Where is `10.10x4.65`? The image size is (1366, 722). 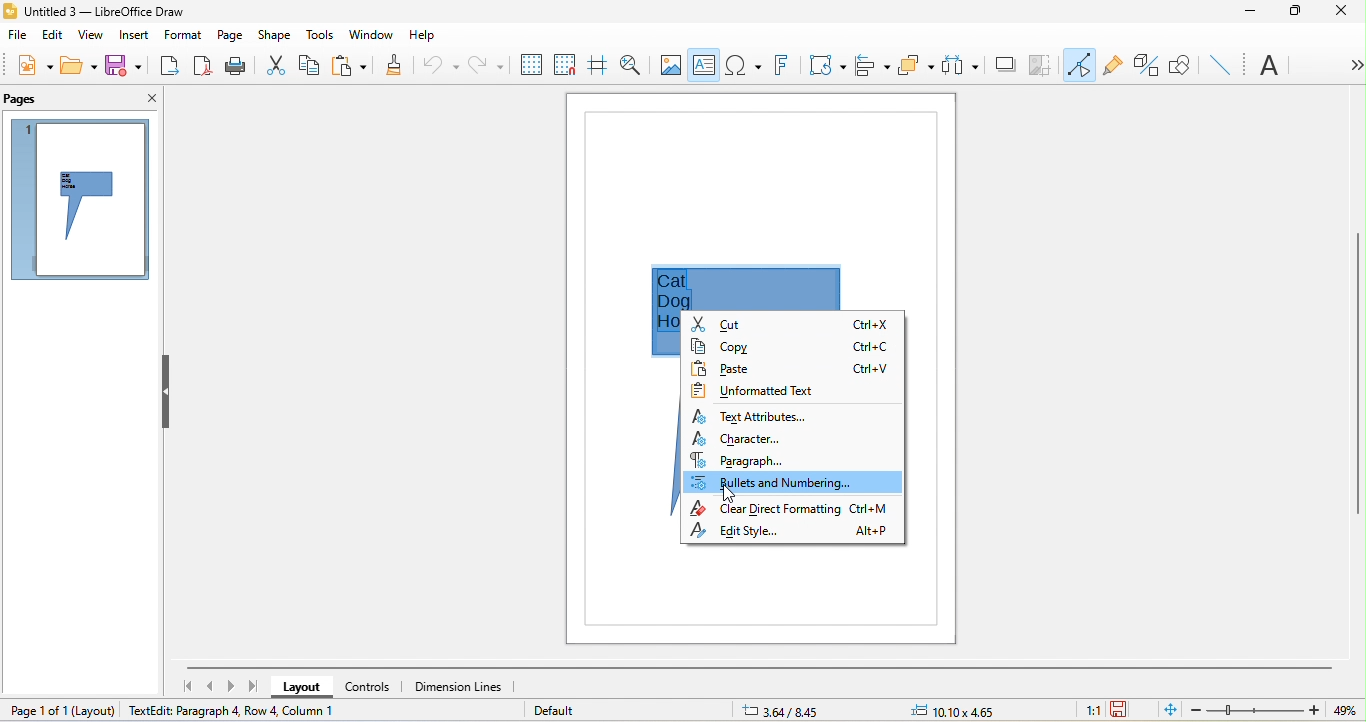 10.10x4.65 is located at coordinates (972, 710).